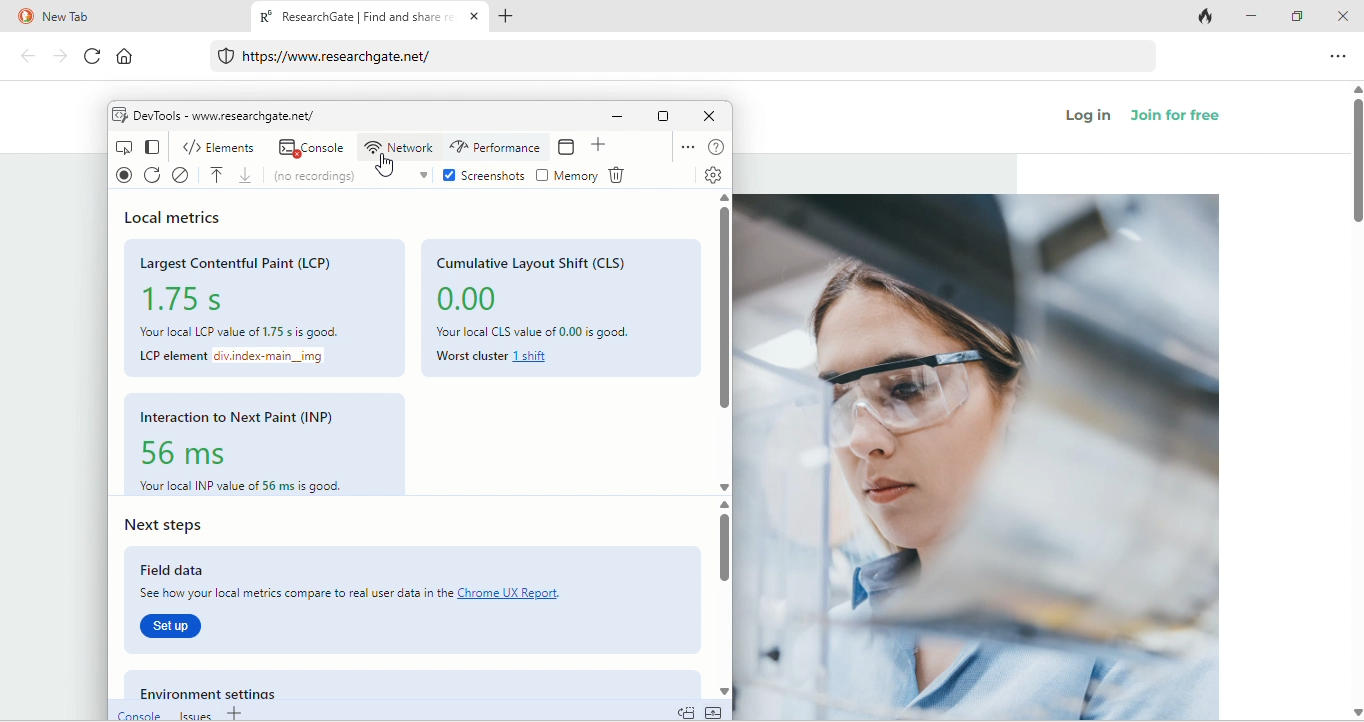 Image resolution: width=1364 pixels, height=722 pixels. I want to click on add, so click(237, 714).